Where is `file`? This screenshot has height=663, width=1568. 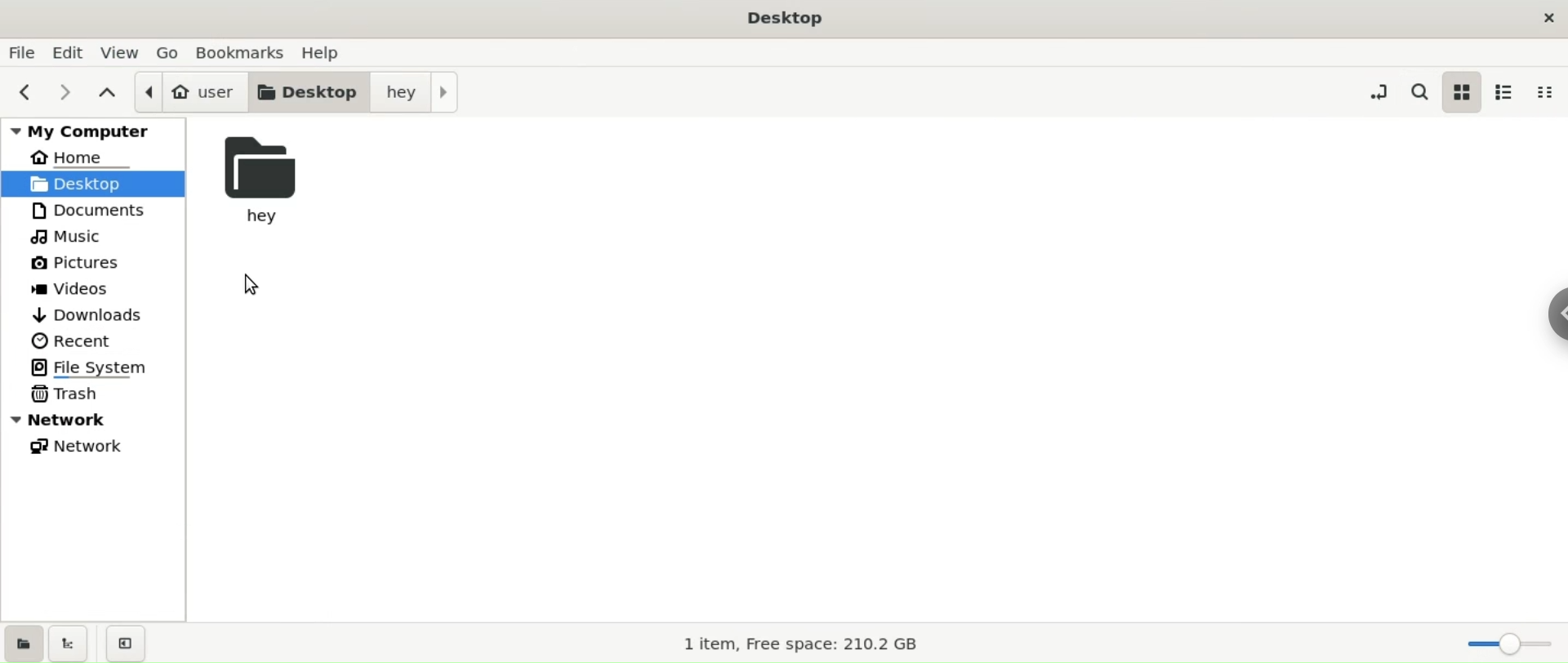 file is located at coordinates (22, 51).